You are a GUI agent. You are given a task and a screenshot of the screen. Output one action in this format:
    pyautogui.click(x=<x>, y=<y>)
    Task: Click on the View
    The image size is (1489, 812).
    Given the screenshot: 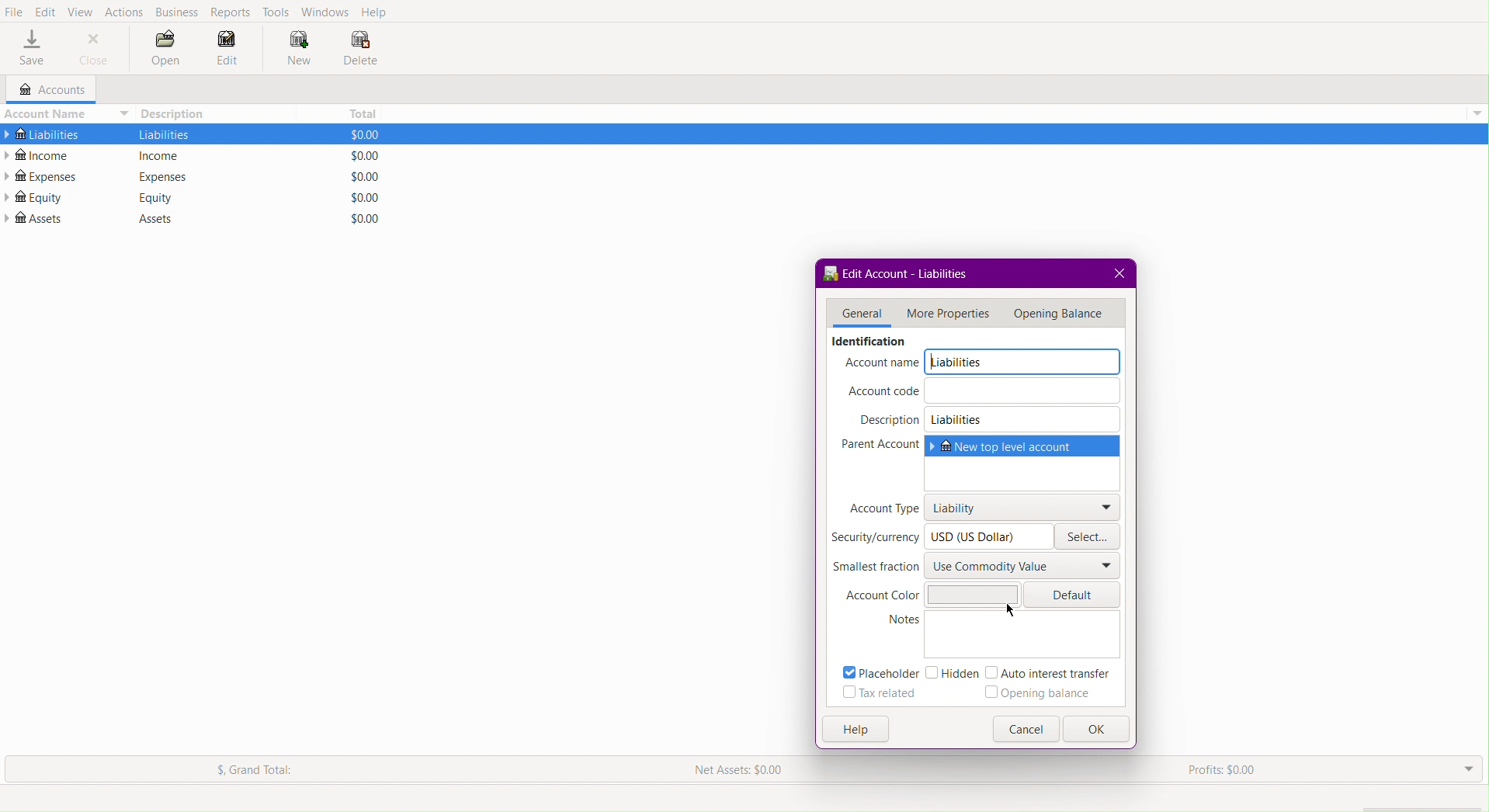 What is the action you would take?
    pyautogui.click(x=82, y=10)
    